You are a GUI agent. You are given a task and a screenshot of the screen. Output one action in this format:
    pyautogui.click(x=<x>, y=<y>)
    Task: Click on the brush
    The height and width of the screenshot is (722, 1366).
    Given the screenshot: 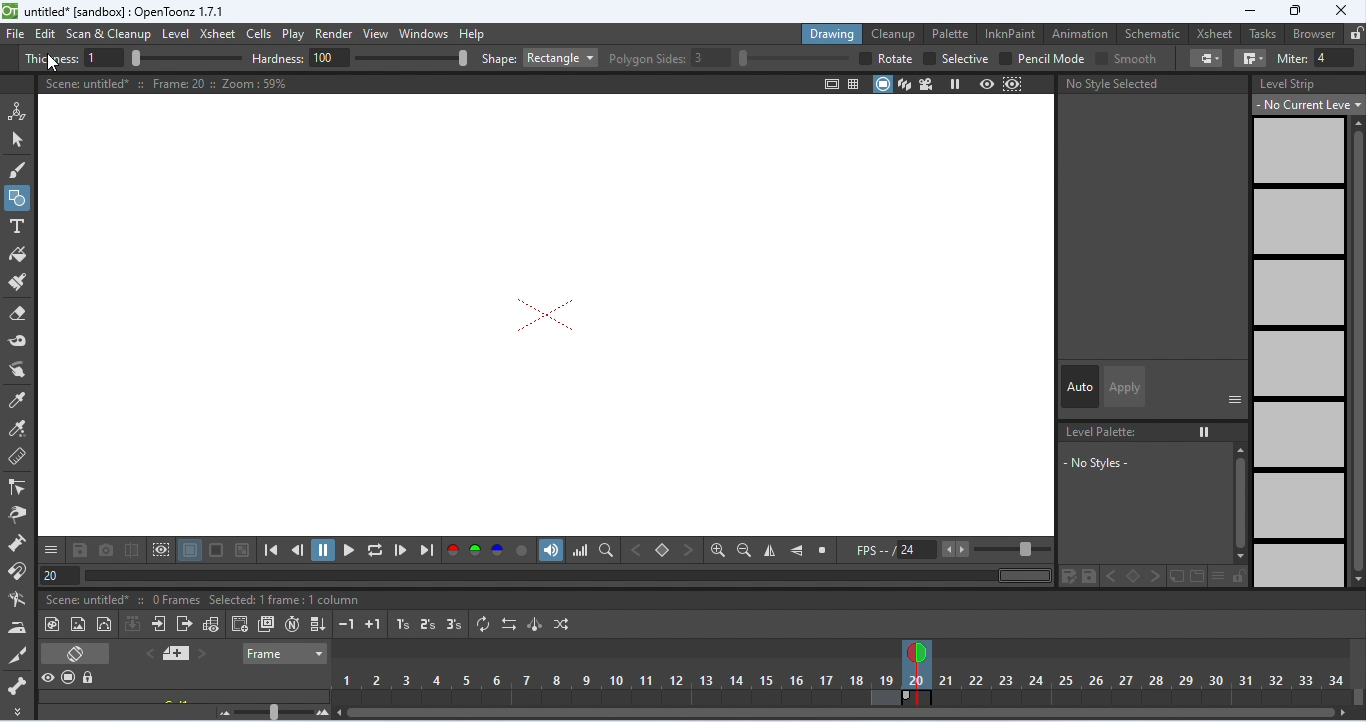 What is the action you would take?
    pyautogui.click(x=17, y=169)
    